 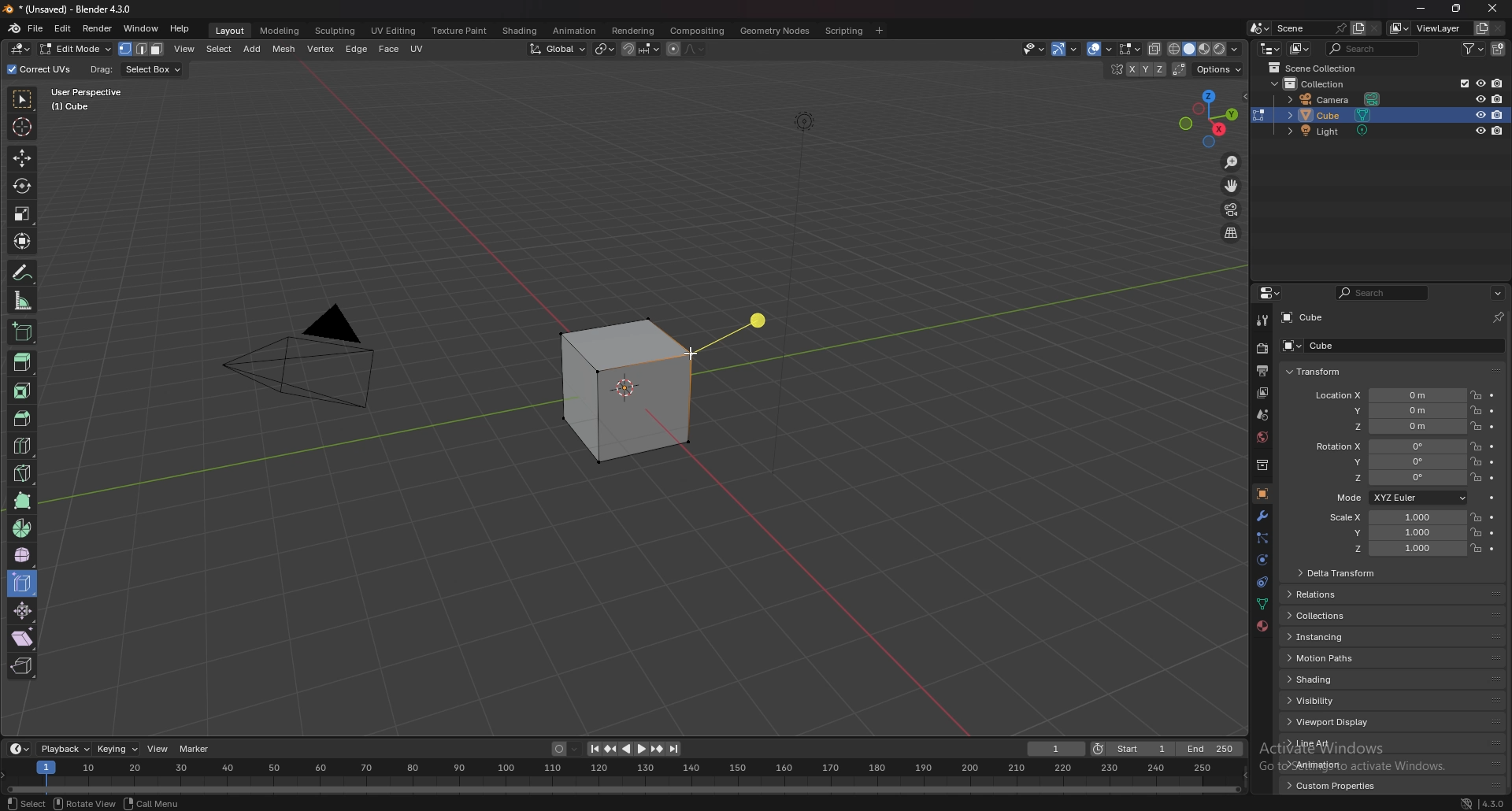 I want to click on search, so click(x=1373, y=48).